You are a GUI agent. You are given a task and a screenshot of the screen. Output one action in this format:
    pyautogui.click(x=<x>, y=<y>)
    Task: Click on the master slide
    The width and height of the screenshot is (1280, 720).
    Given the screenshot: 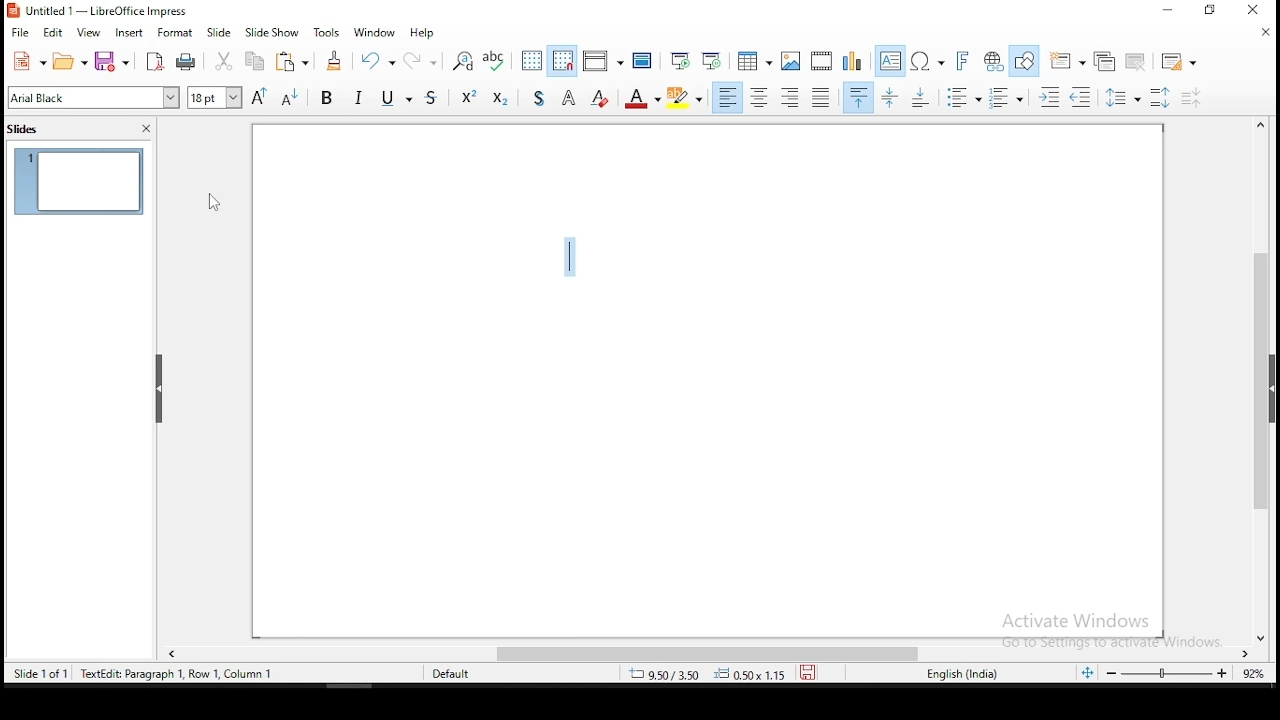 What is the action you would take?
    pyautogui.click(x=643, y=59)
    